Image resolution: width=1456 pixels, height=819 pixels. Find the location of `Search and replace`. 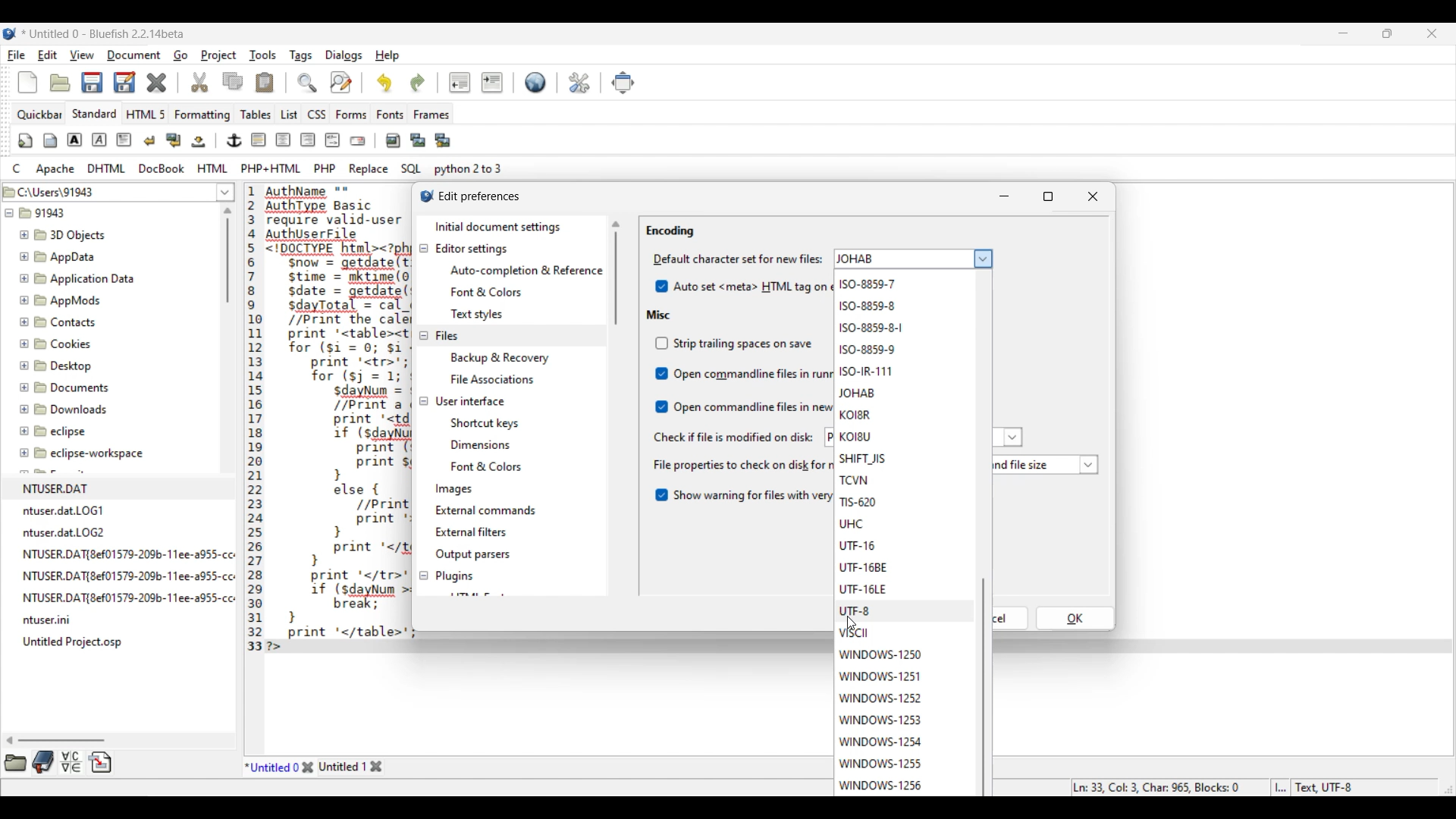

Search and replace is located at coordinates (325, 82).